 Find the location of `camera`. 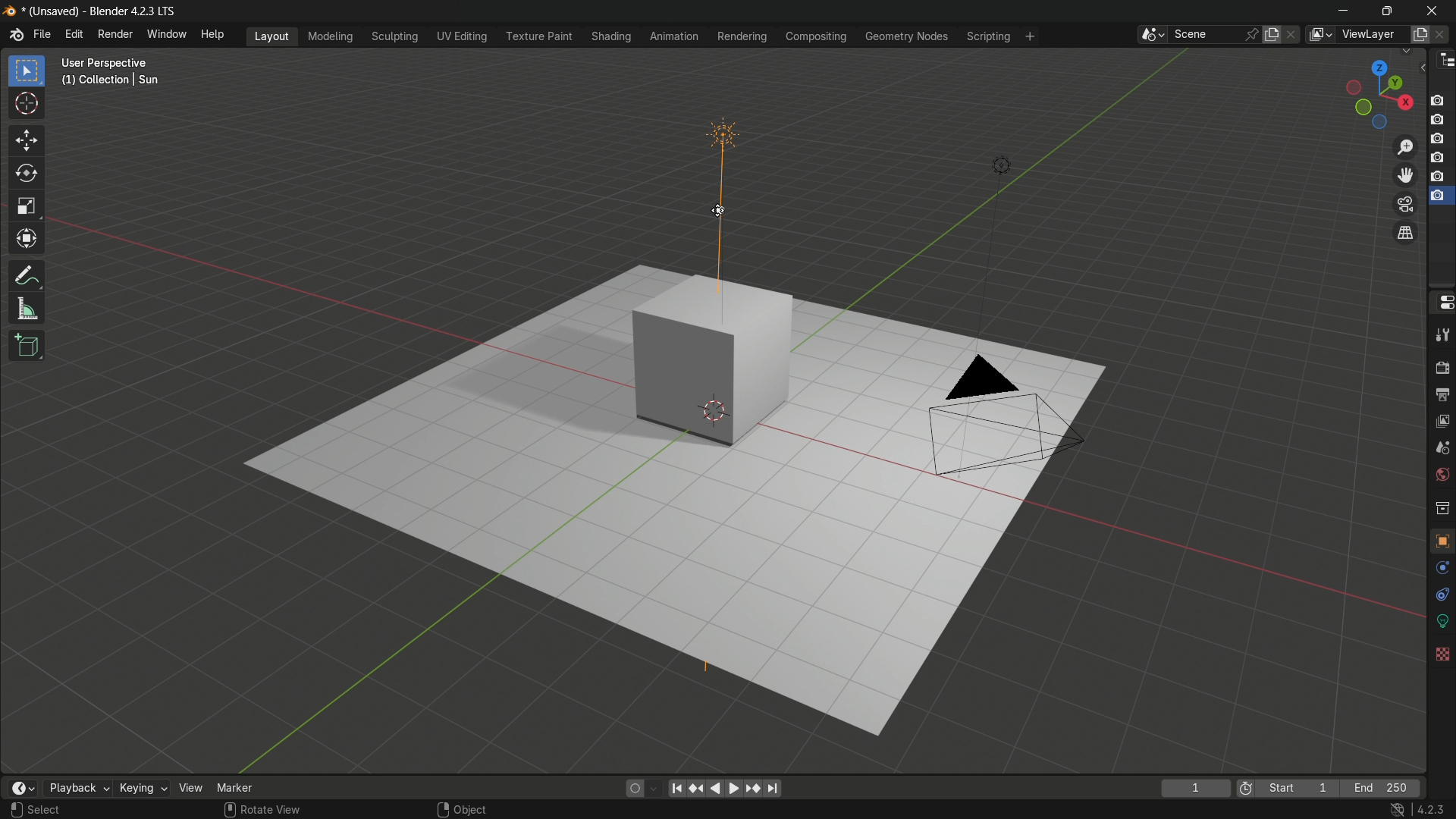

camera is located at coordinates (1002, 413).